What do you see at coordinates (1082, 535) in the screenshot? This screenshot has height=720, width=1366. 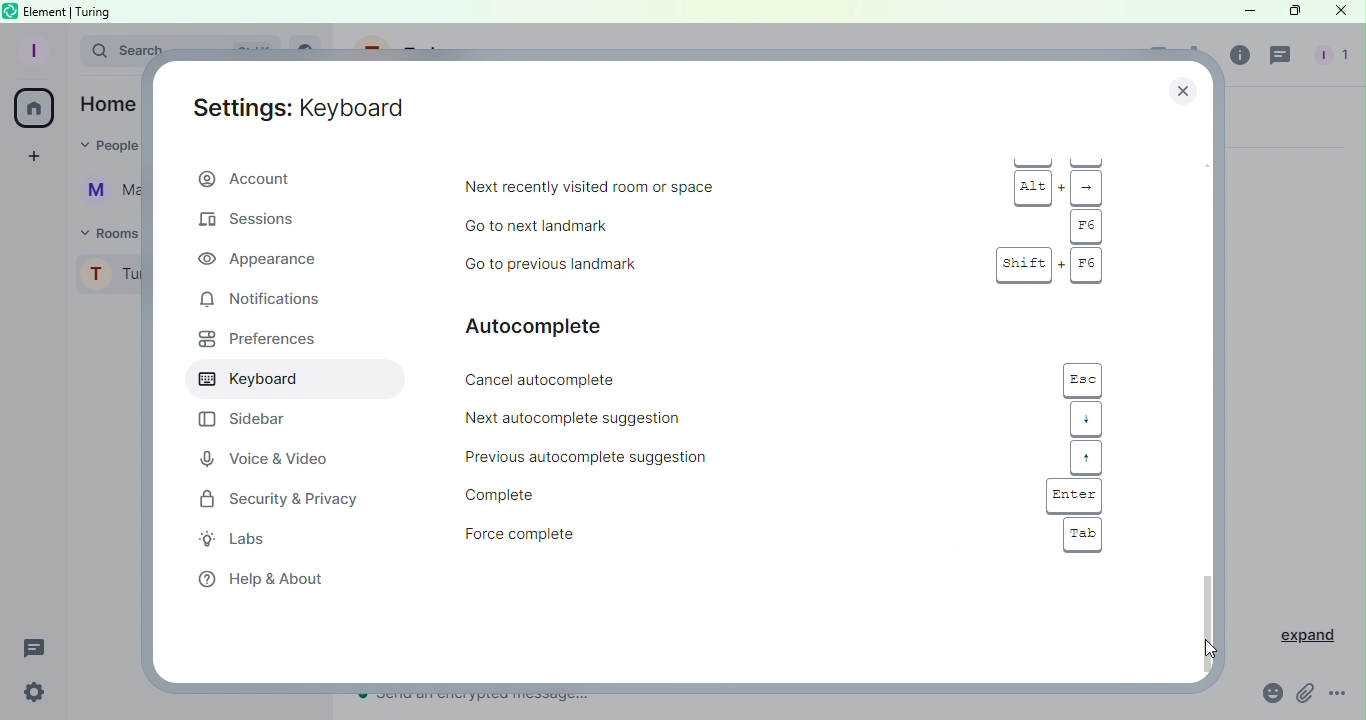 I see `TAB` at bounding box center [1082, 535].